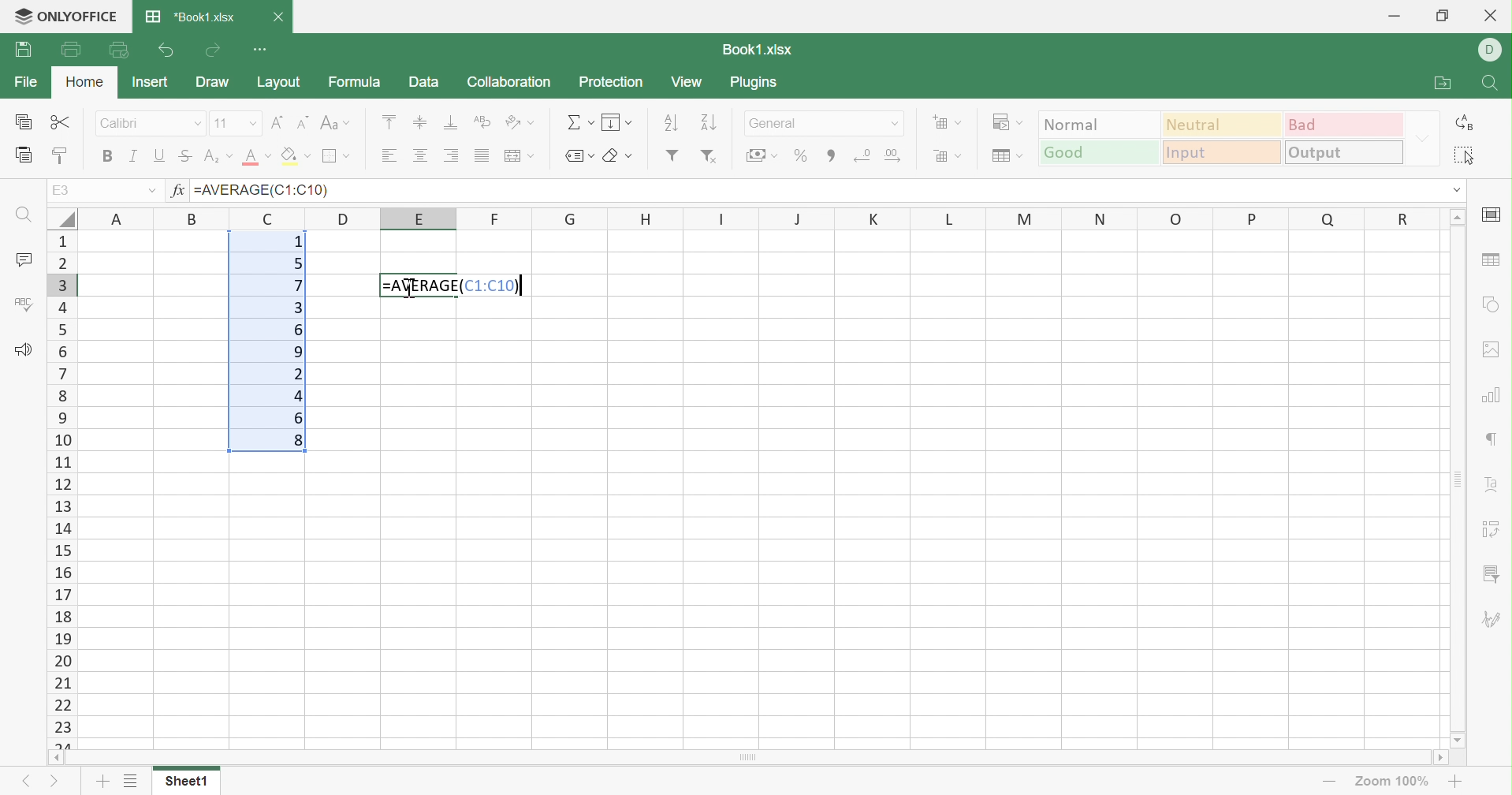 The width and height of the screenshot is (1512, 795). Describe the element at coordinates (615, 153) in the screenshot. I see `Clear` at that location.